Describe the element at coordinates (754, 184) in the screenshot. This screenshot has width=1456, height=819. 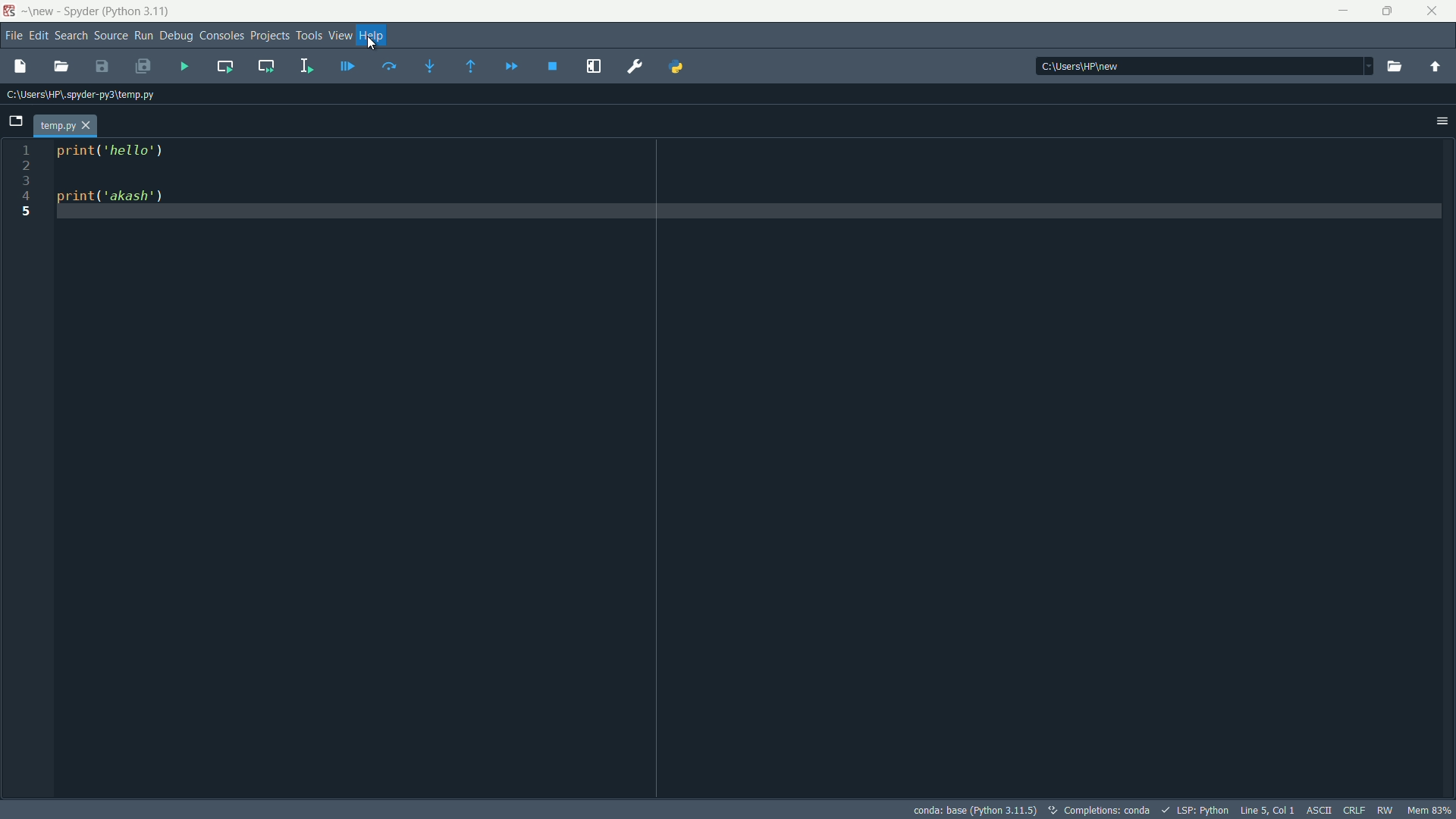
I see `print('hello')  print('akash')` at that location.